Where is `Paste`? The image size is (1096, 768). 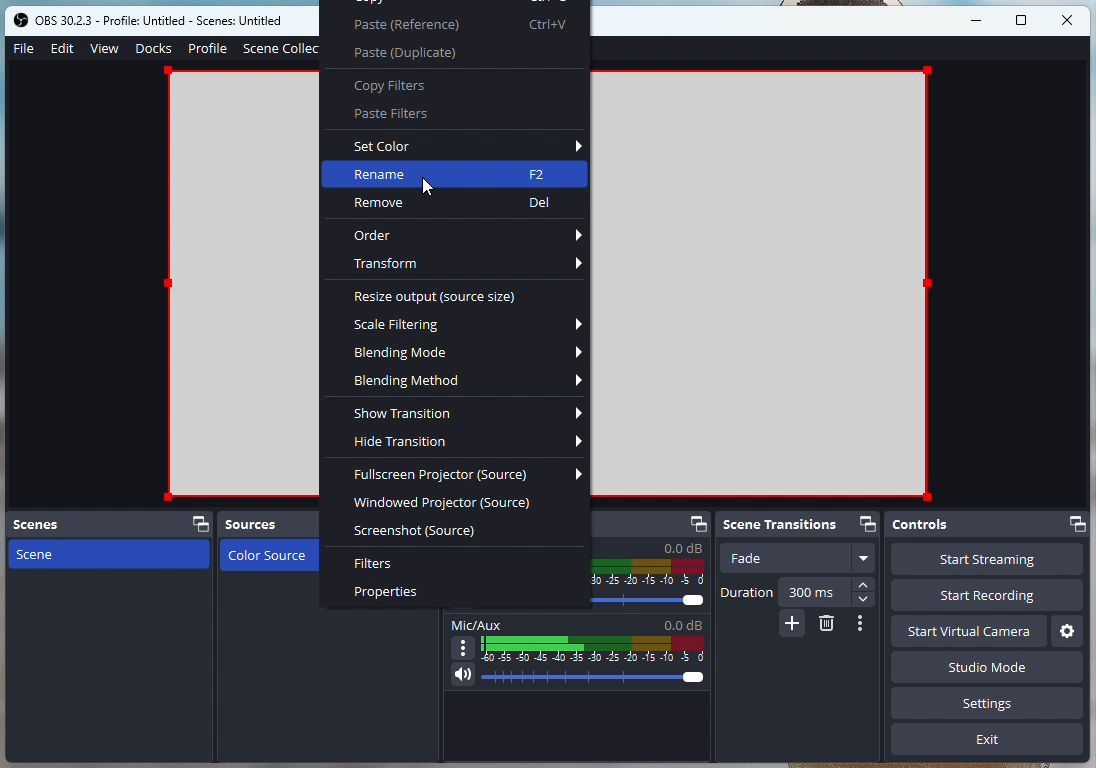
Paste is located at coordinates (466, 24).